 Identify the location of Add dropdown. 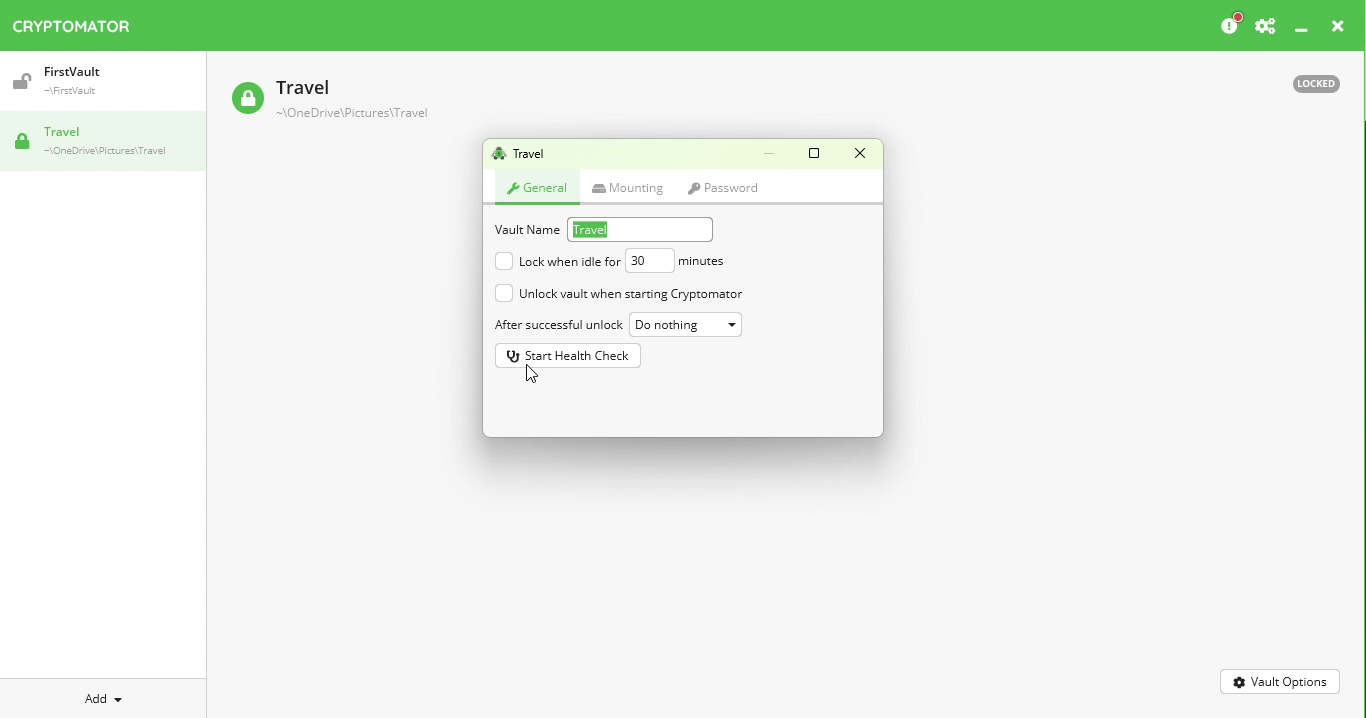
(115, 697).